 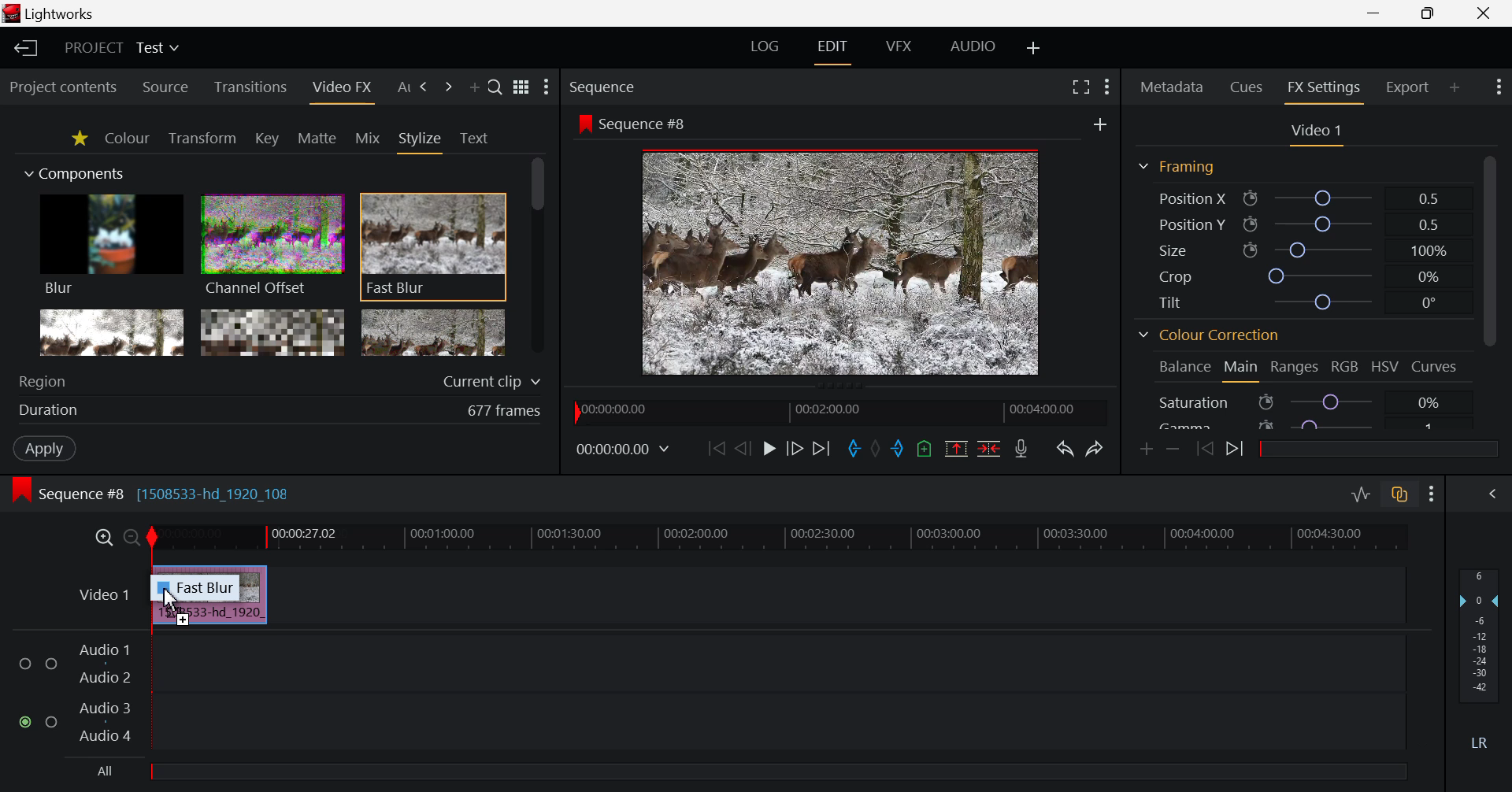 I want to click on Show Settings, so click(x=547, y=85).